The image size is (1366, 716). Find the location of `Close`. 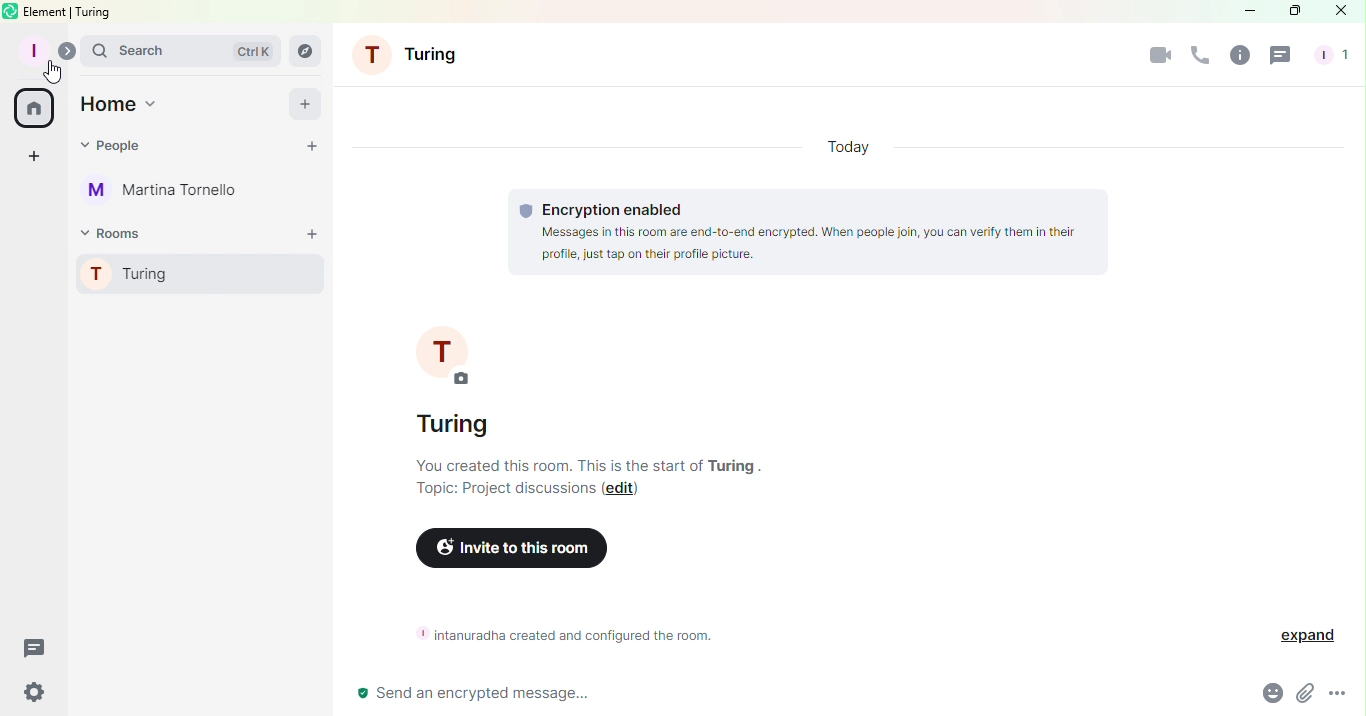

Close is located at coordinates (1342, 10).